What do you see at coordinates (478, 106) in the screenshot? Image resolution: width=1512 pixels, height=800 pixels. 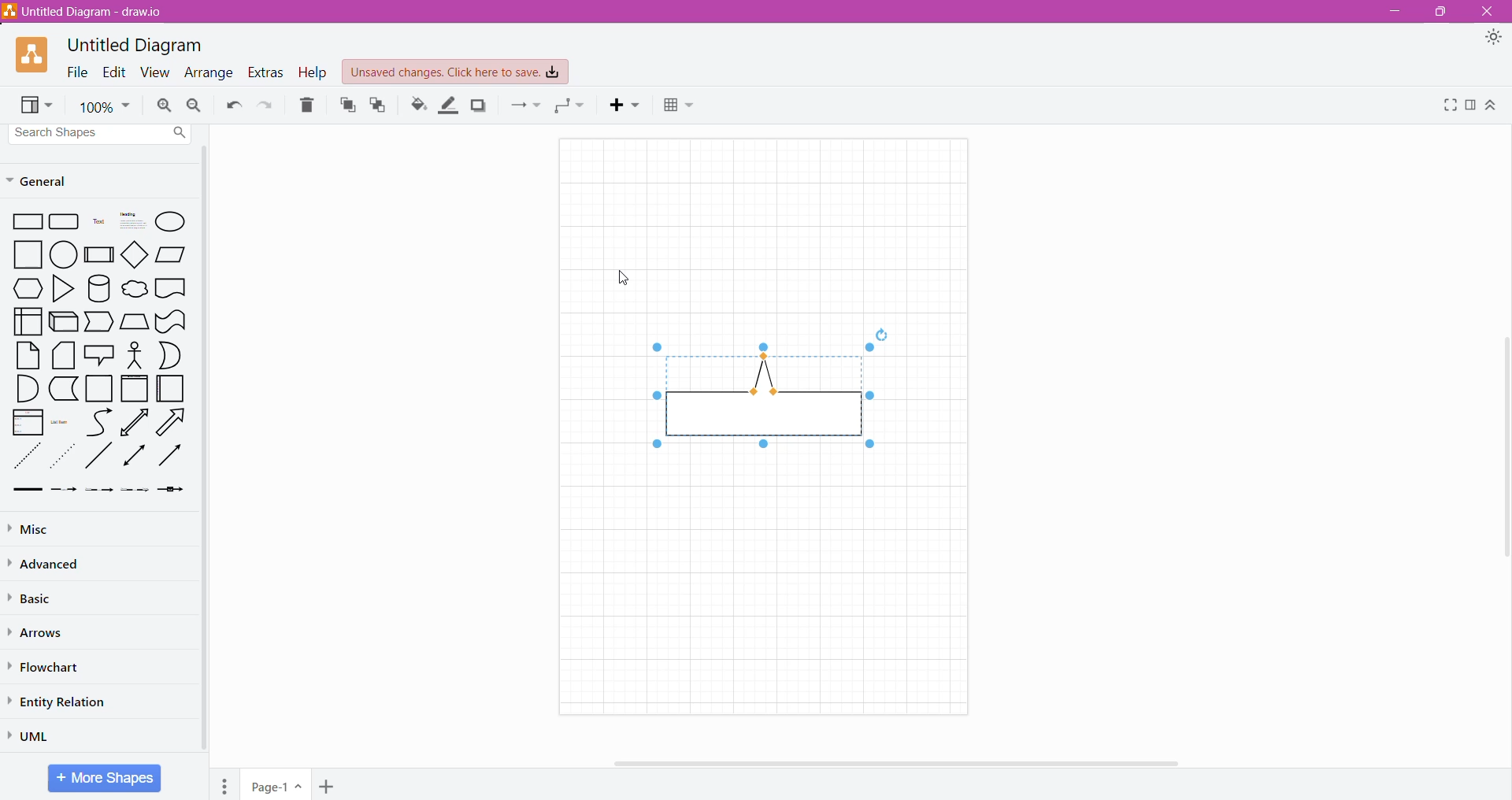 I see `Shadow` at bounding box center [478, 106].